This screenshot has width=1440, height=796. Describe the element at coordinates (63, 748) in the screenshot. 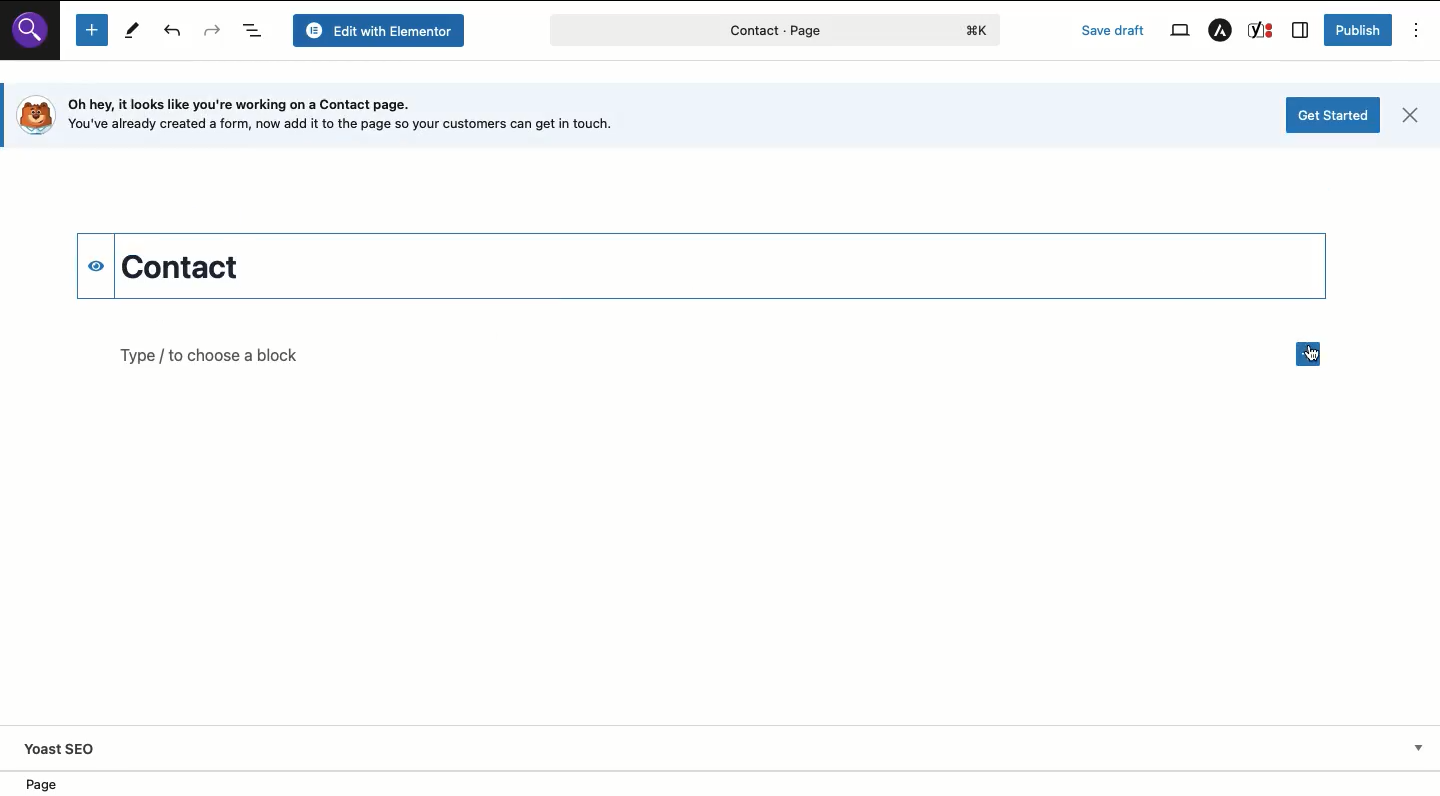

I see `Yoast SEO` at that location.